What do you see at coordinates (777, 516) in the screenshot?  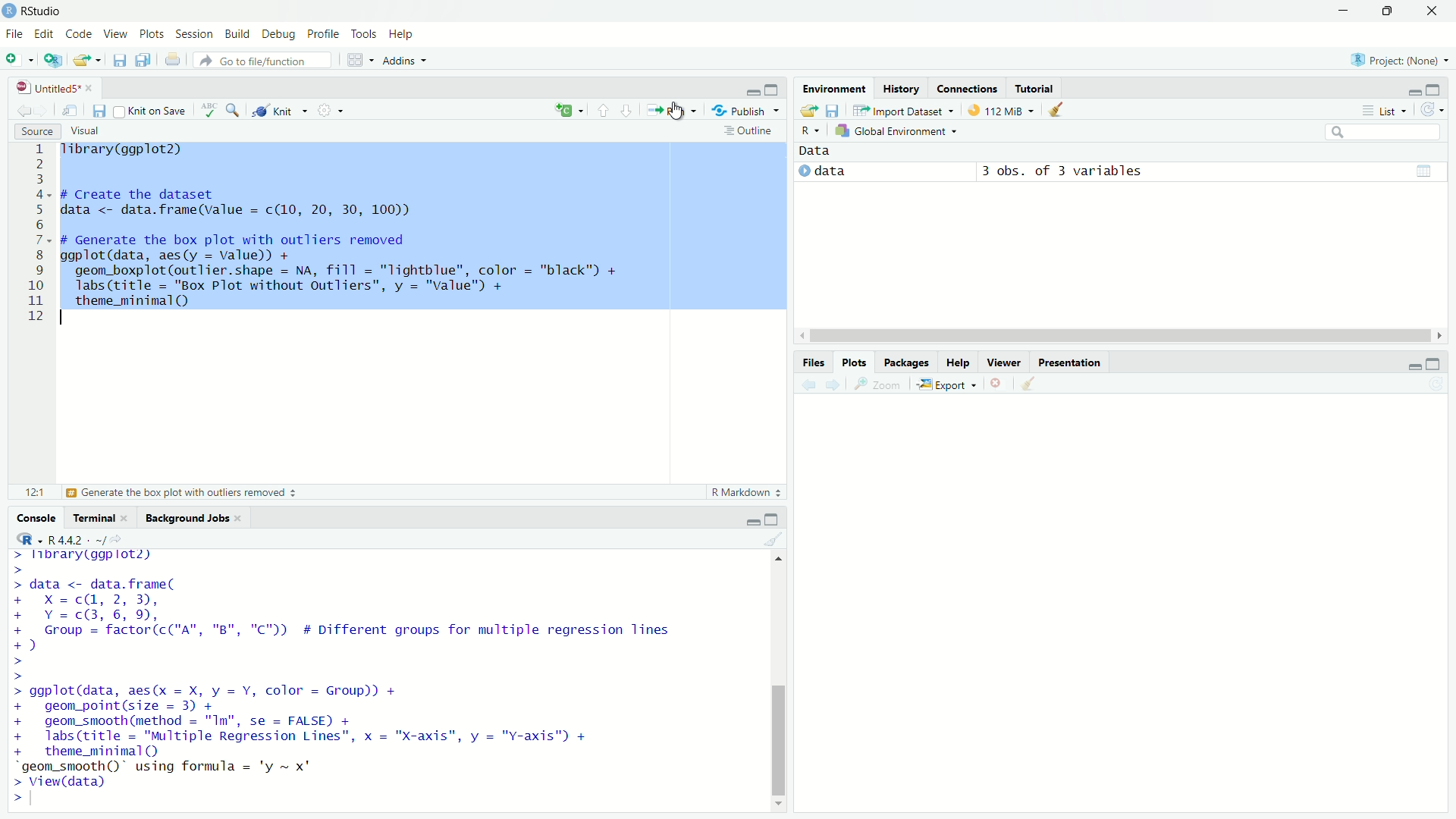 I see `maximise` at bounding box center [777, 516].